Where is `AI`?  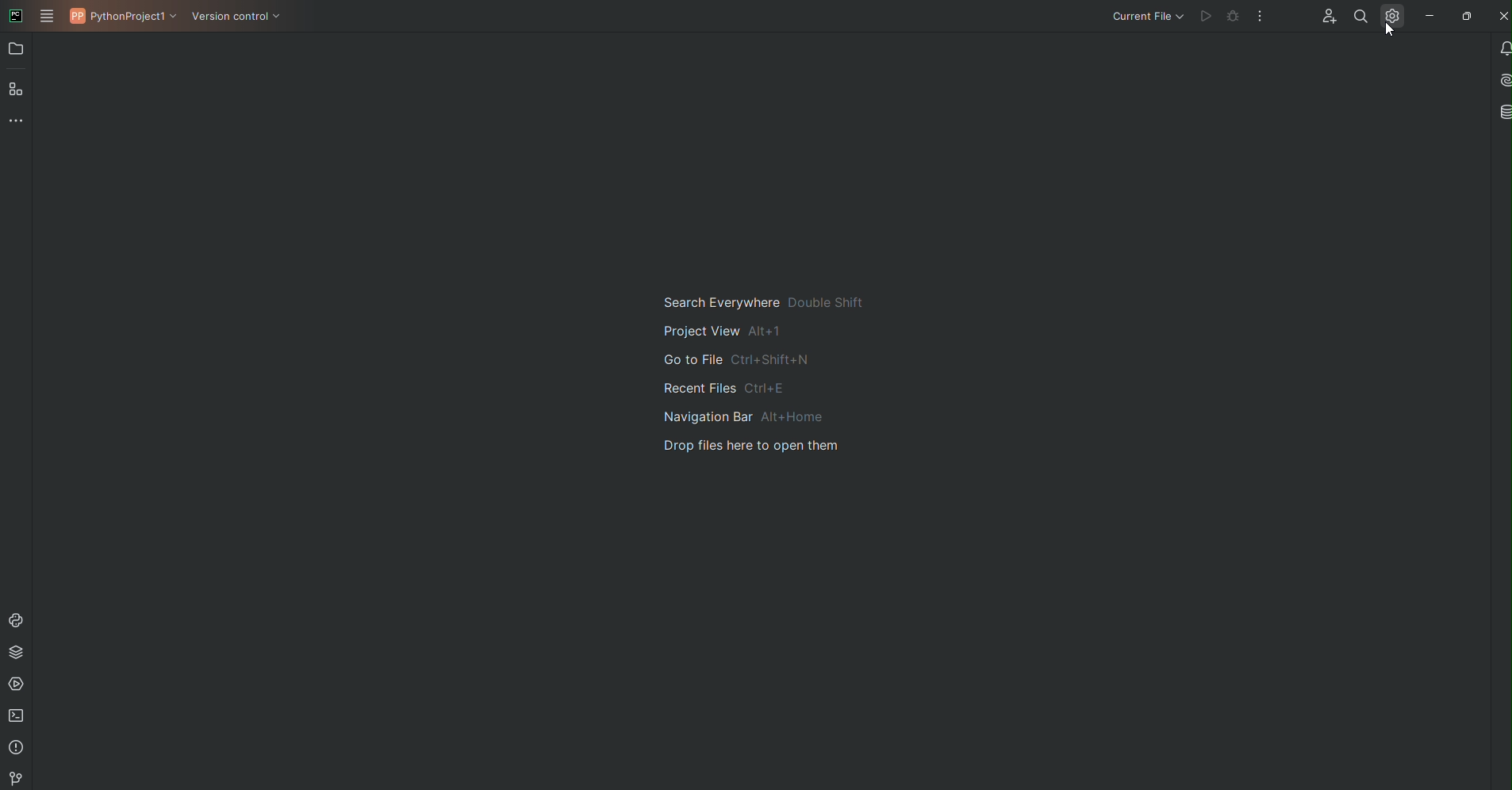
AI is located at coordinates (1502, 80).